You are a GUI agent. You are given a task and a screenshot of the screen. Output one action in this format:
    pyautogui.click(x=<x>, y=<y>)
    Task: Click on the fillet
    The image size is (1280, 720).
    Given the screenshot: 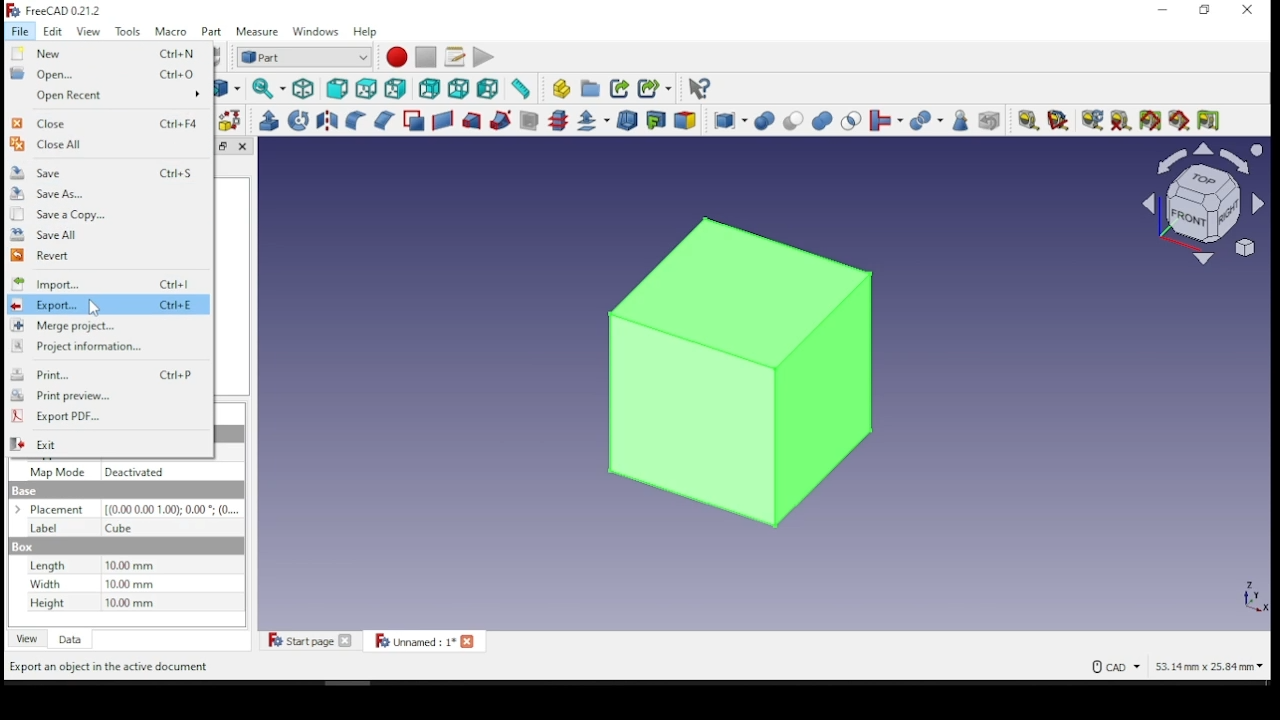 What is the action you would take?
    pyautogui.click(x=355, y=120)
    